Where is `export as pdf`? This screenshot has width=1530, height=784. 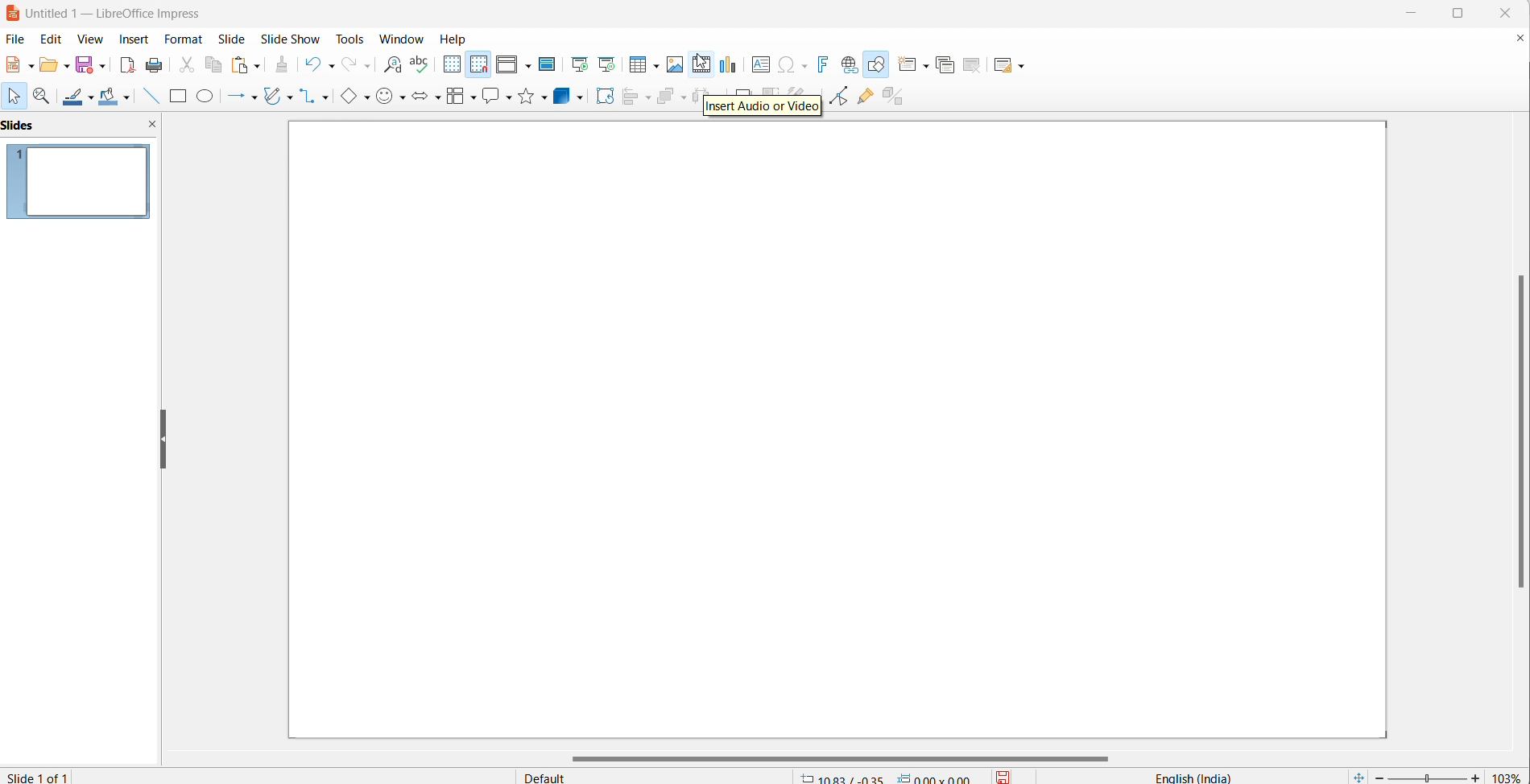 export as pdf is located at coordinates (126, 65).